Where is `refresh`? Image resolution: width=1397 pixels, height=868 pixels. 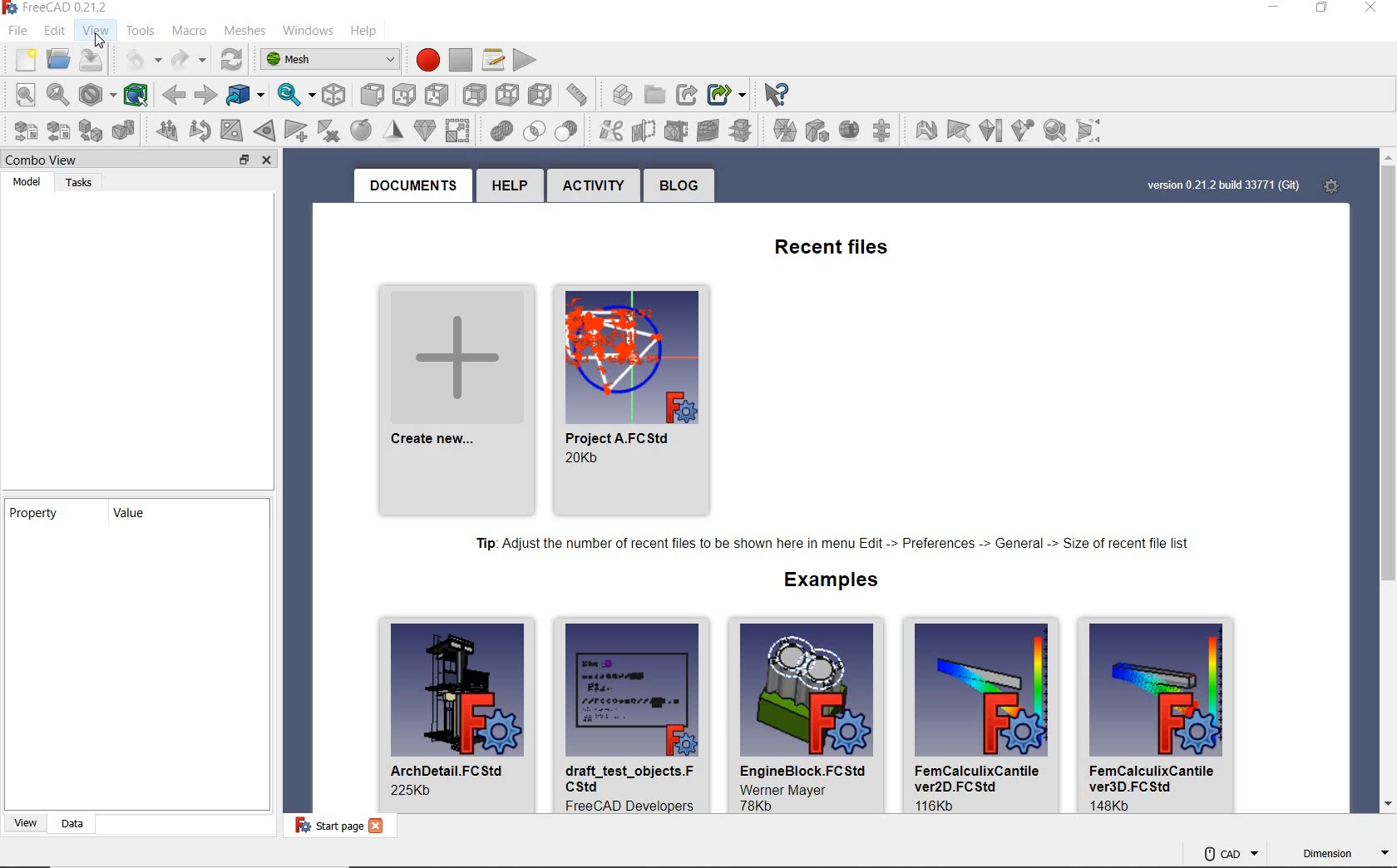 refresh is located at coordinates (225, 58).